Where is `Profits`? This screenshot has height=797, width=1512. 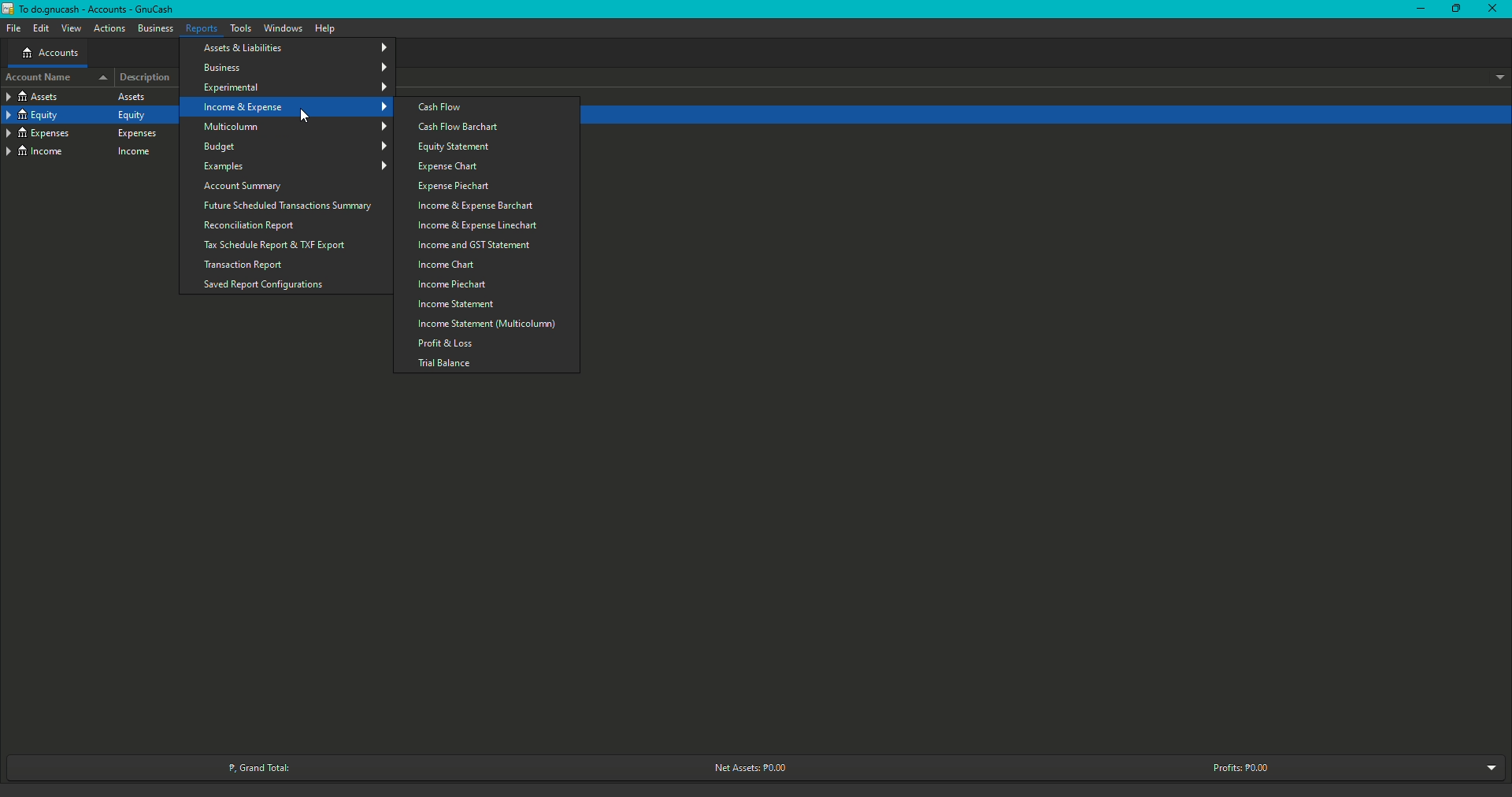
Profits is located at coordinates (1245, 768).